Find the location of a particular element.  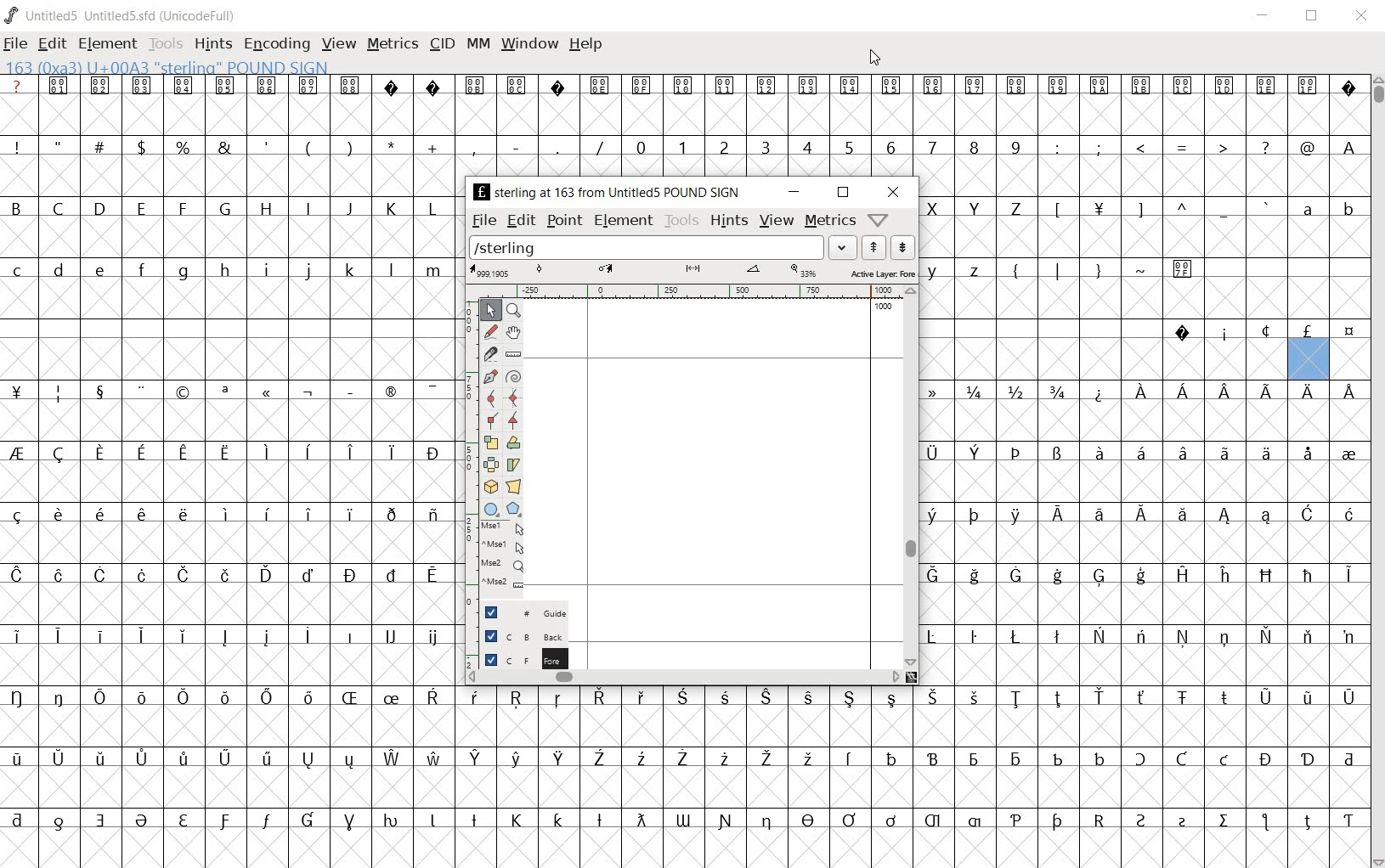

ruler is located at coordinates (692, 291).